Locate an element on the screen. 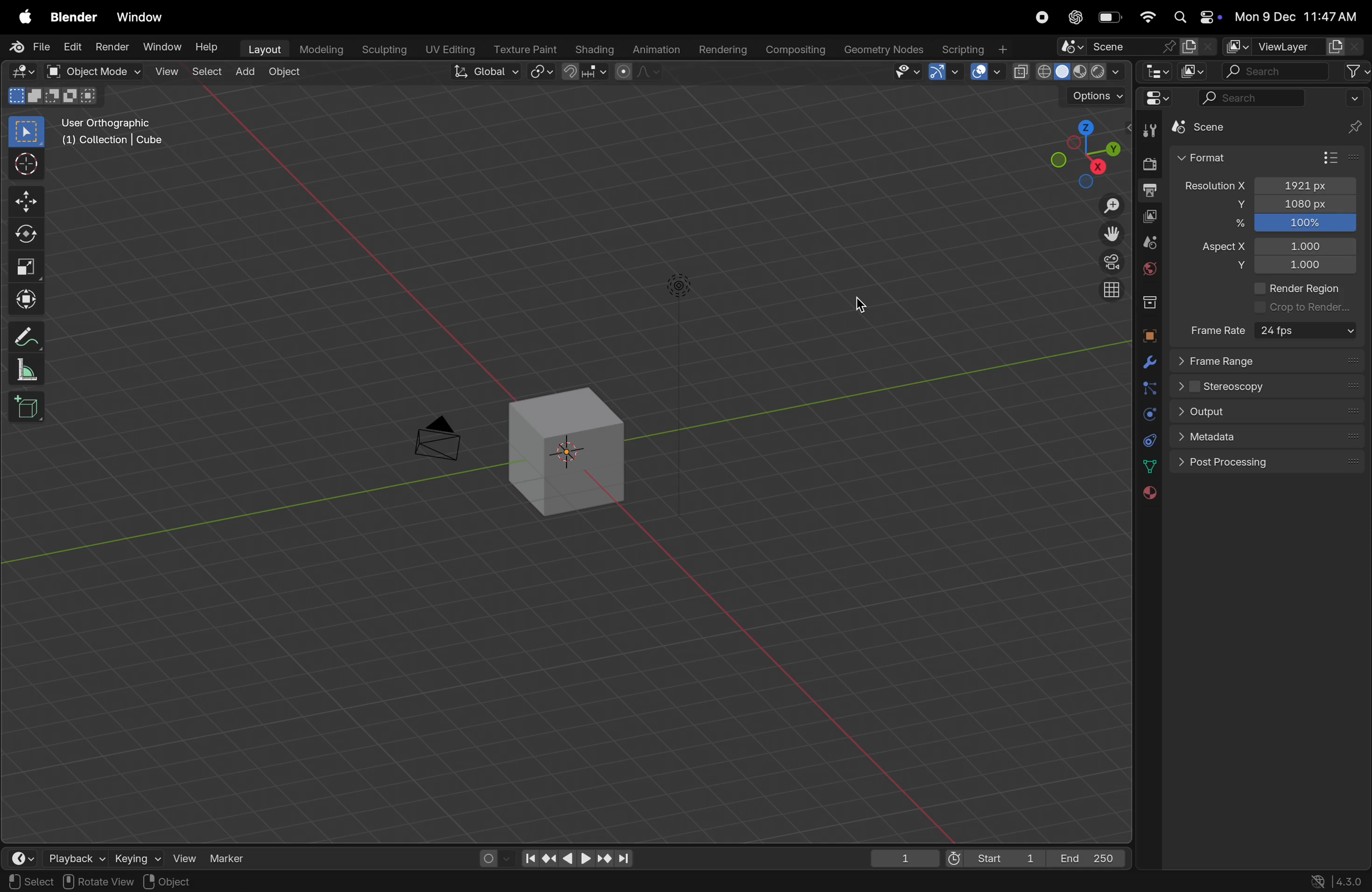 Image resolution: width=1372 pixels, height=892 pixels.  is located at coordinates (485, 73).